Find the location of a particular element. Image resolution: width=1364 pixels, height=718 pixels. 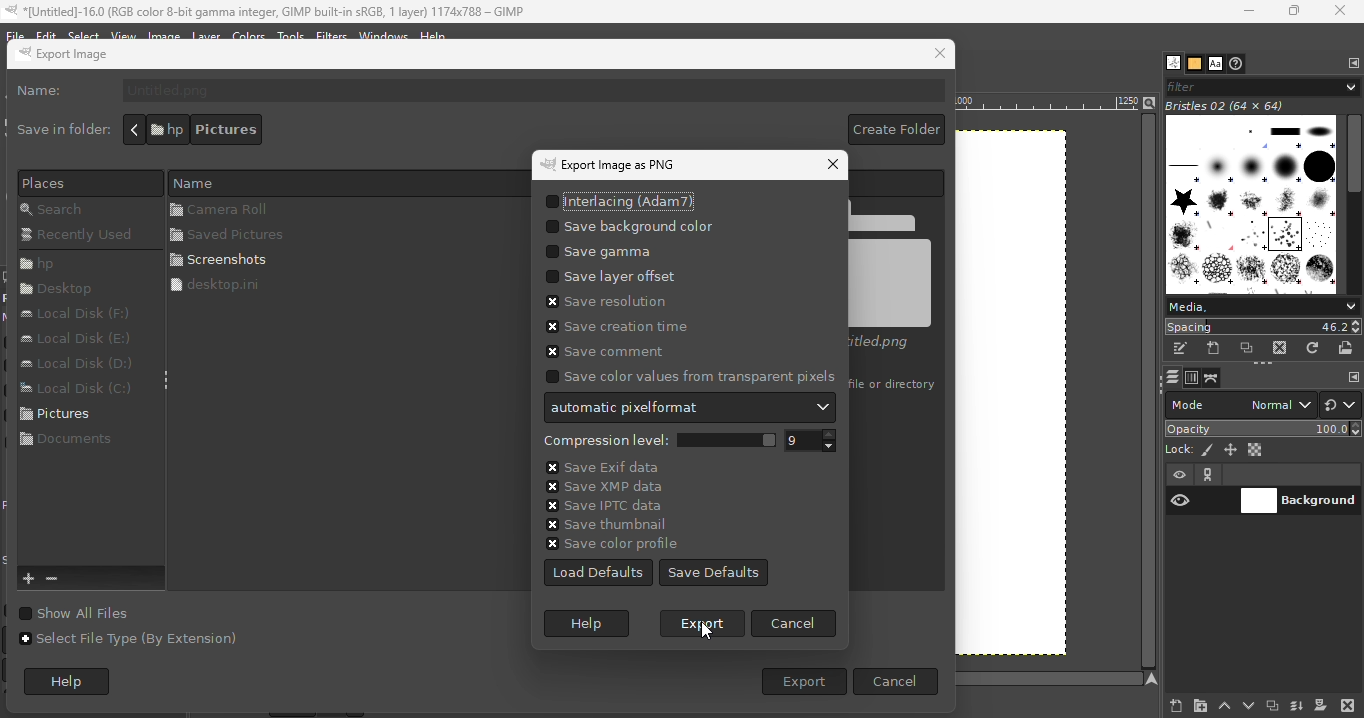

Select file type (by ectension) is located at coordinates (131, 646).